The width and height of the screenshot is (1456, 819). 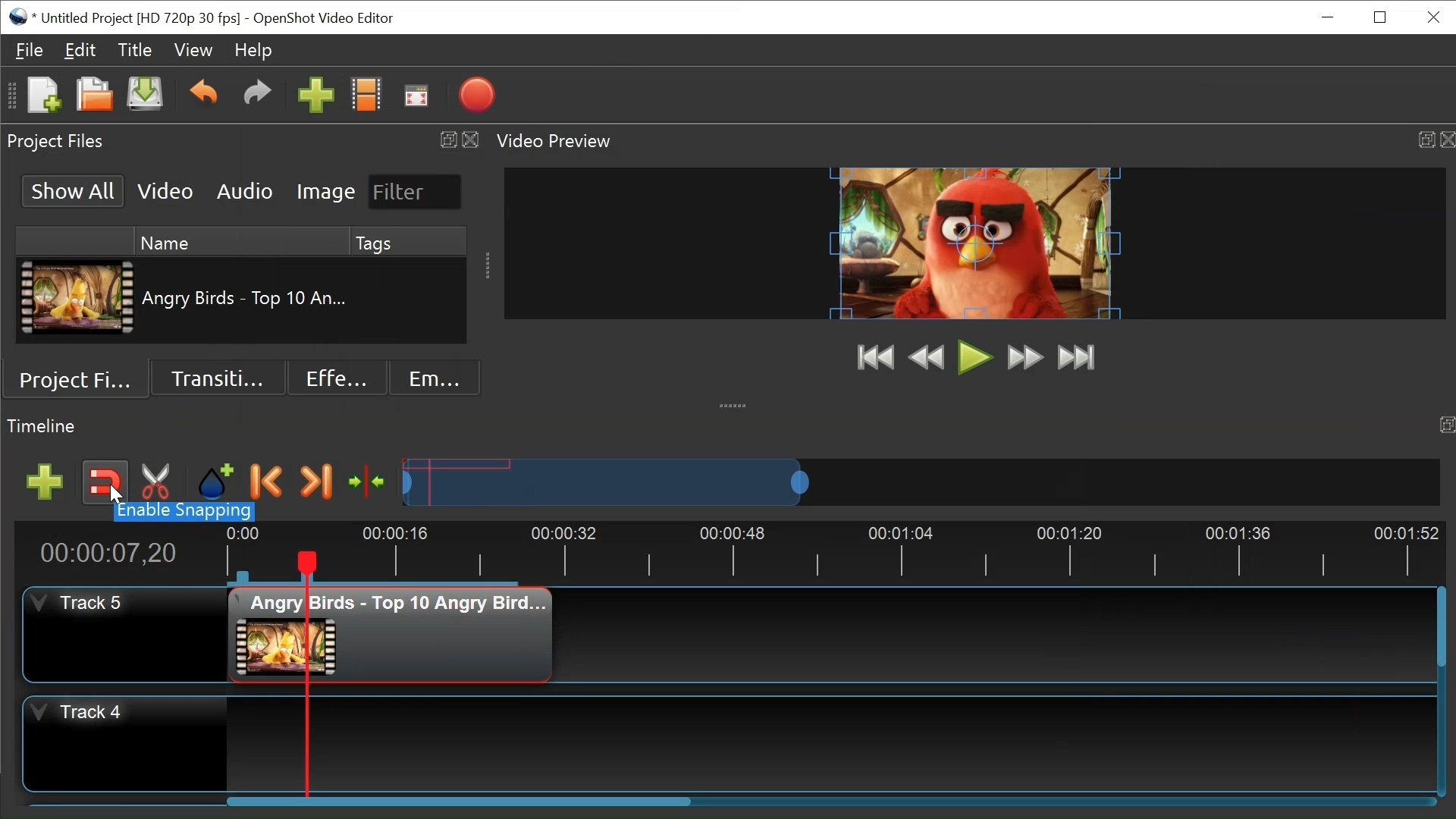 I want to click on Snap, so click(x=104, y=482).